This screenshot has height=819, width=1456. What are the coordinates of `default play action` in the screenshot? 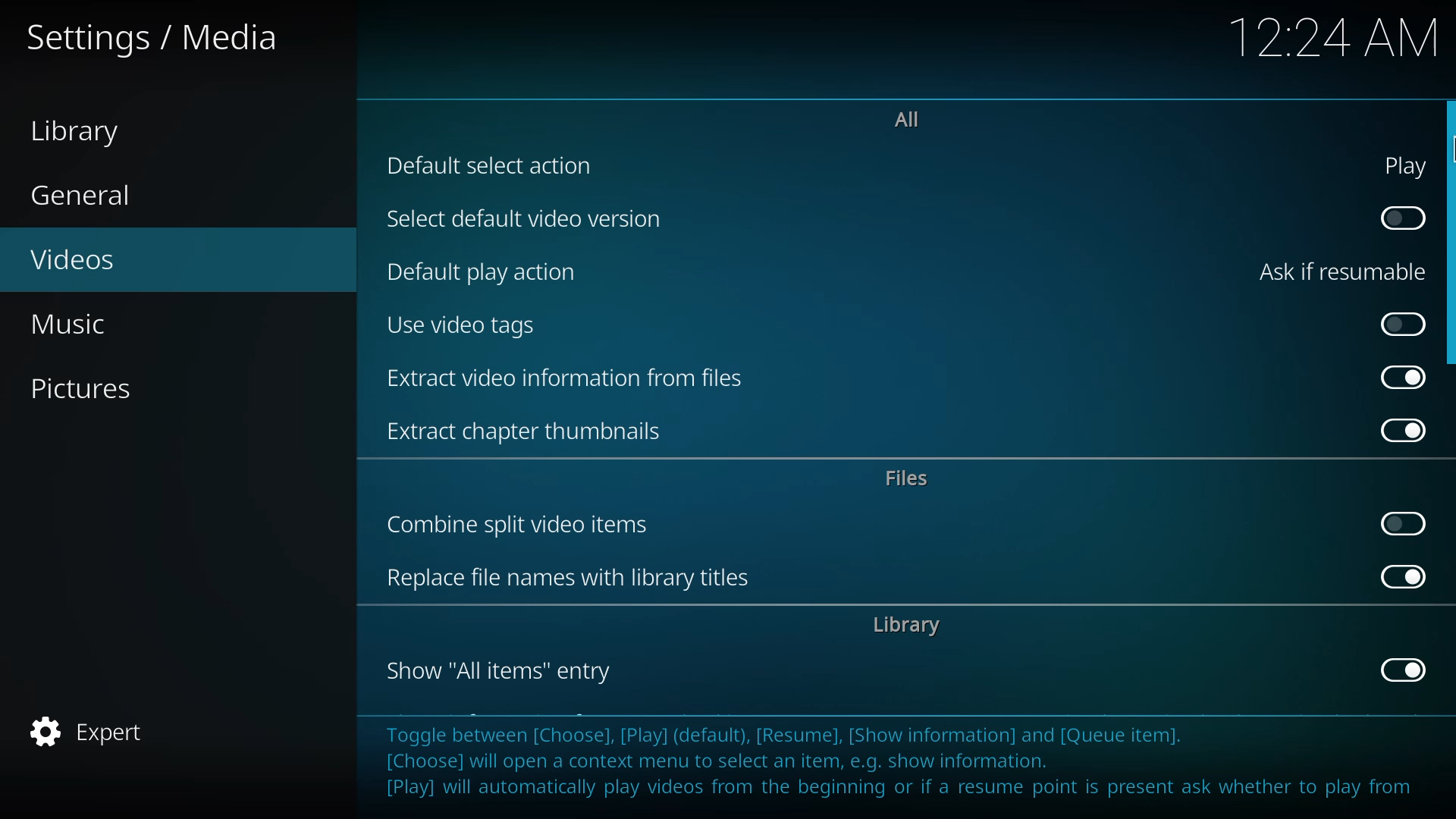 It's located at (491, 271).